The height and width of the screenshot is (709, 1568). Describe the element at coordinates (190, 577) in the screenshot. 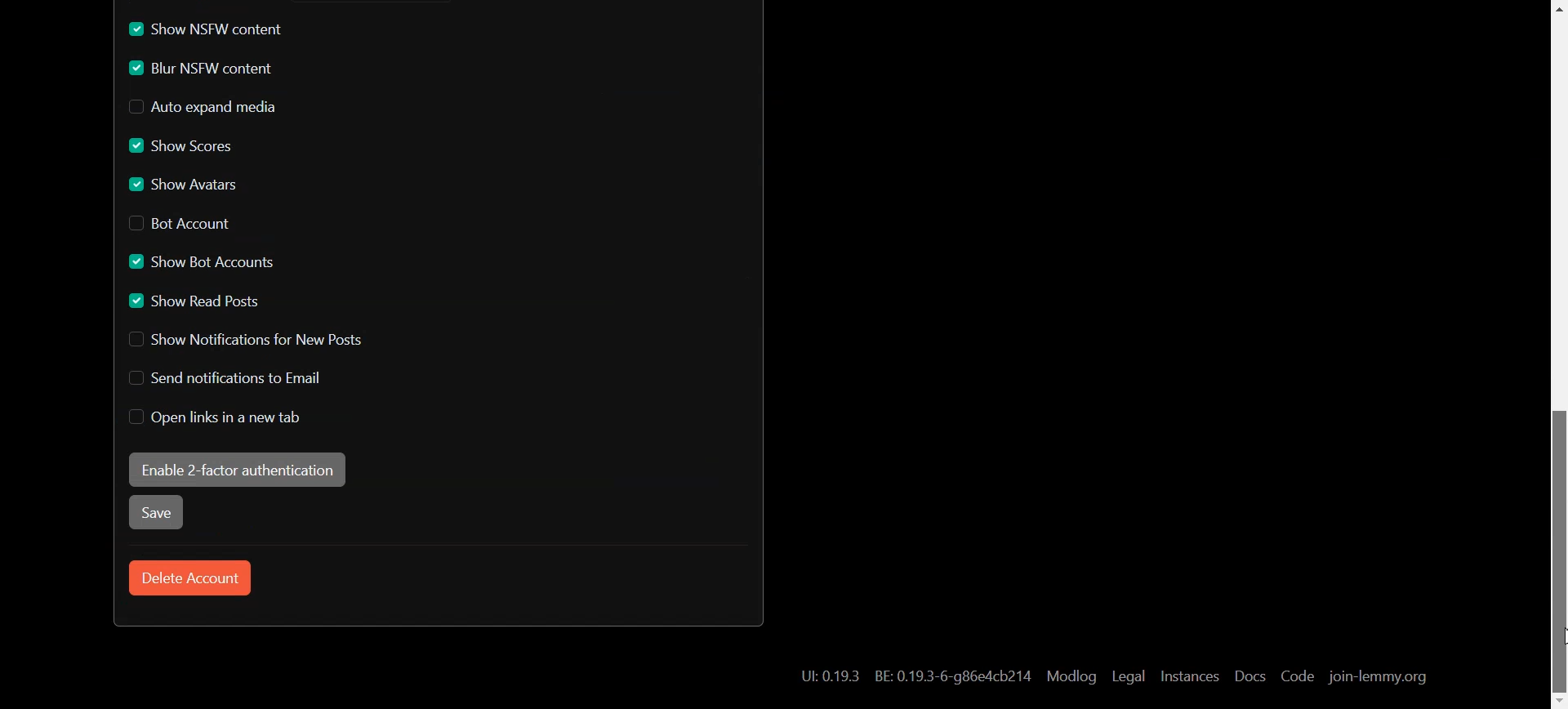

I see `Delete Account` at that location.